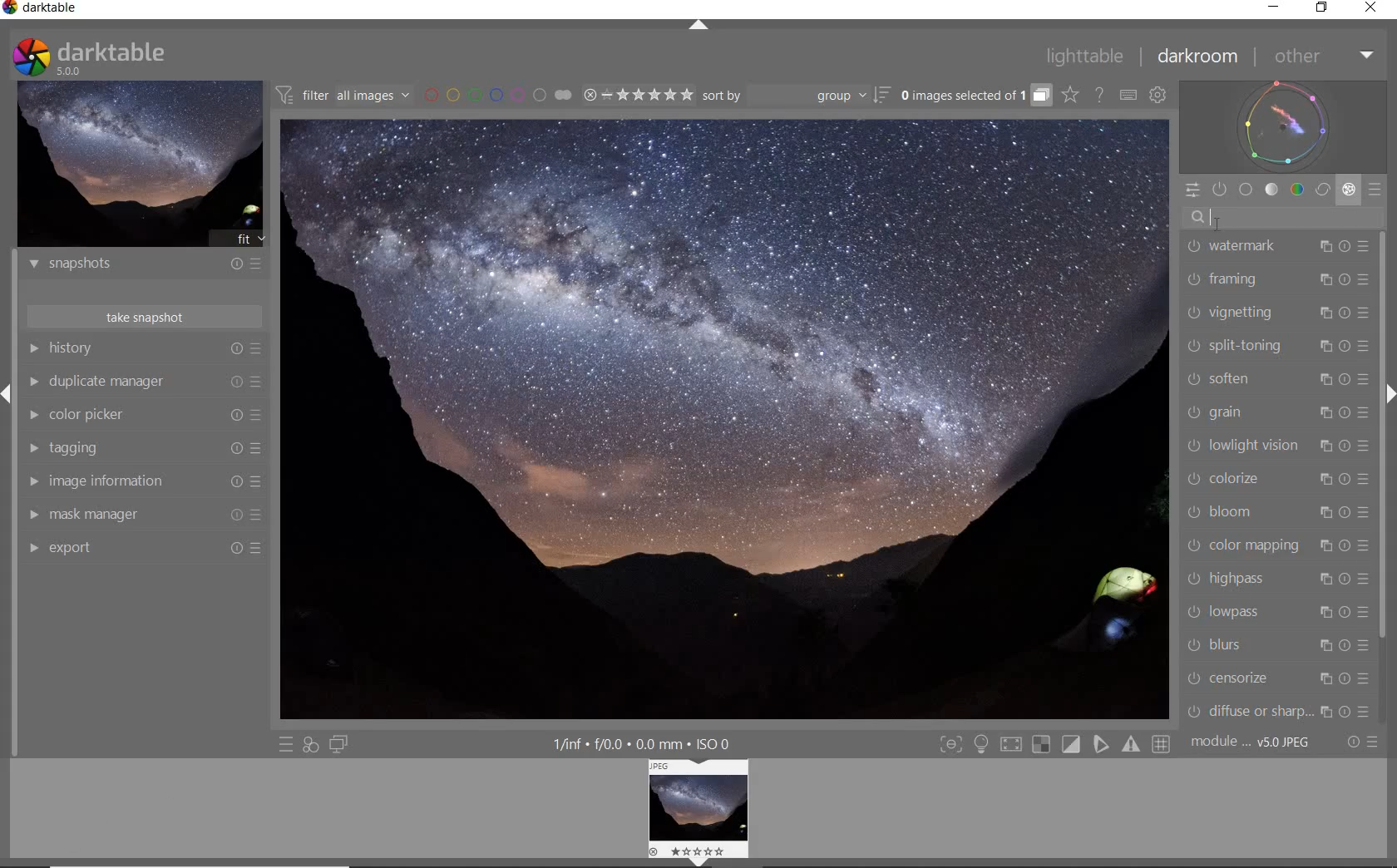  What do you see at coordinates (29, 448) in the screenshot?
I see `TAGGING` at bounding box center [29, 448].